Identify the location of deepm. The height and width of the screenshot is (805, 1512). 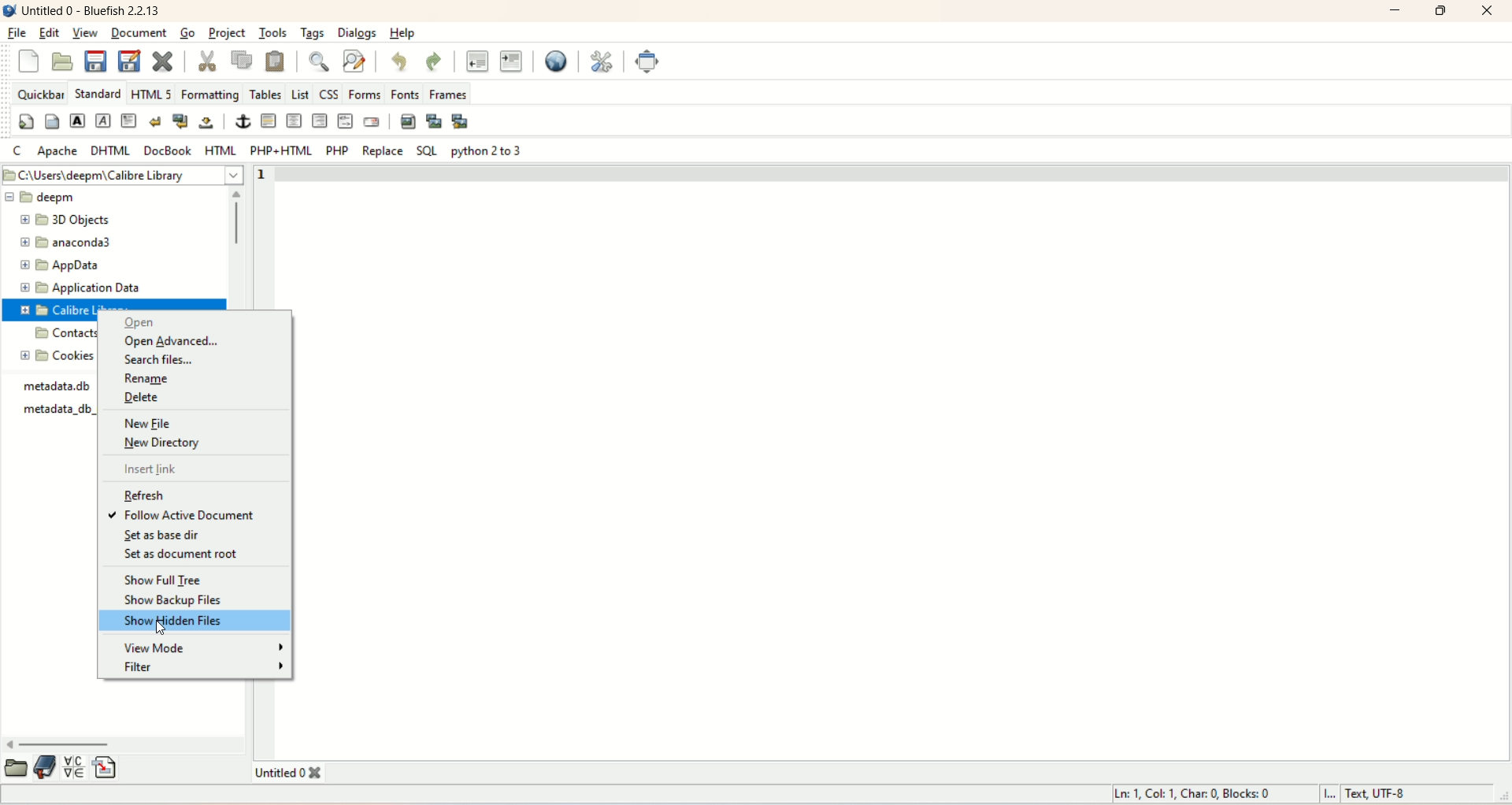
(110, 198).